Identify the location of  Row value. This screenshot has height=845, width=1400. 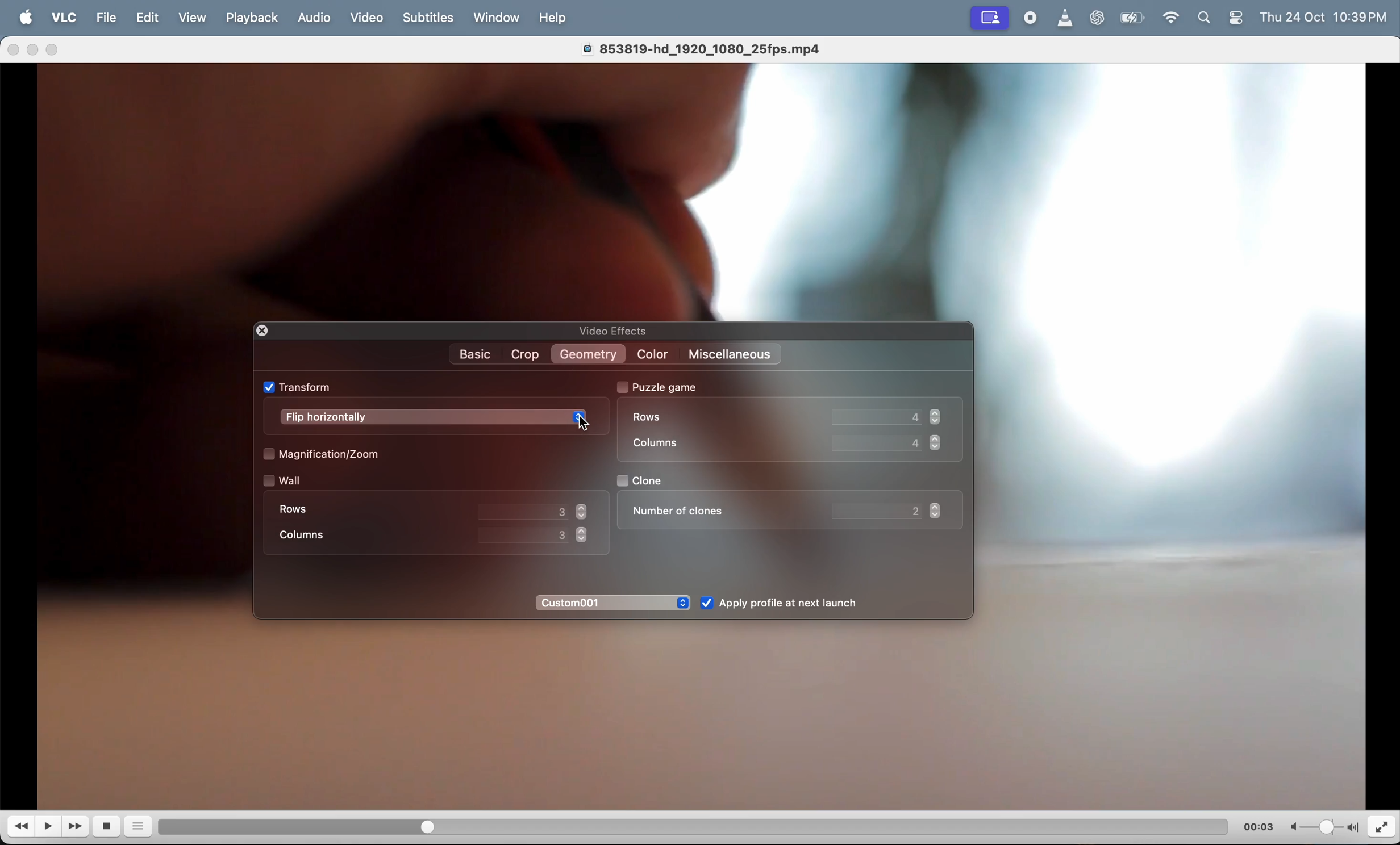
(885, 417).